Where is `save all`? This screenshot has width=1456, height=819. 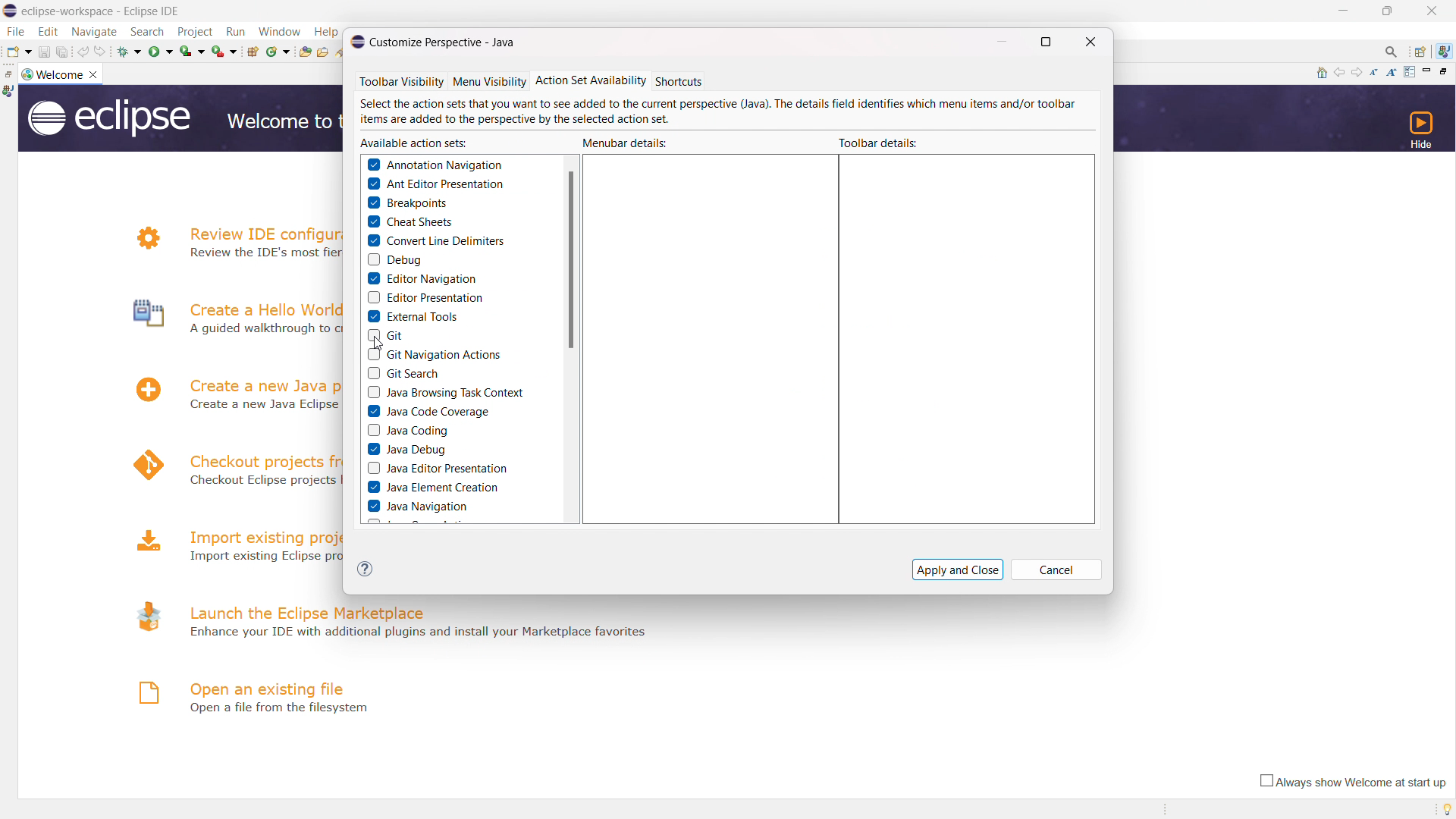
save all is located at coordinates (63, 52).